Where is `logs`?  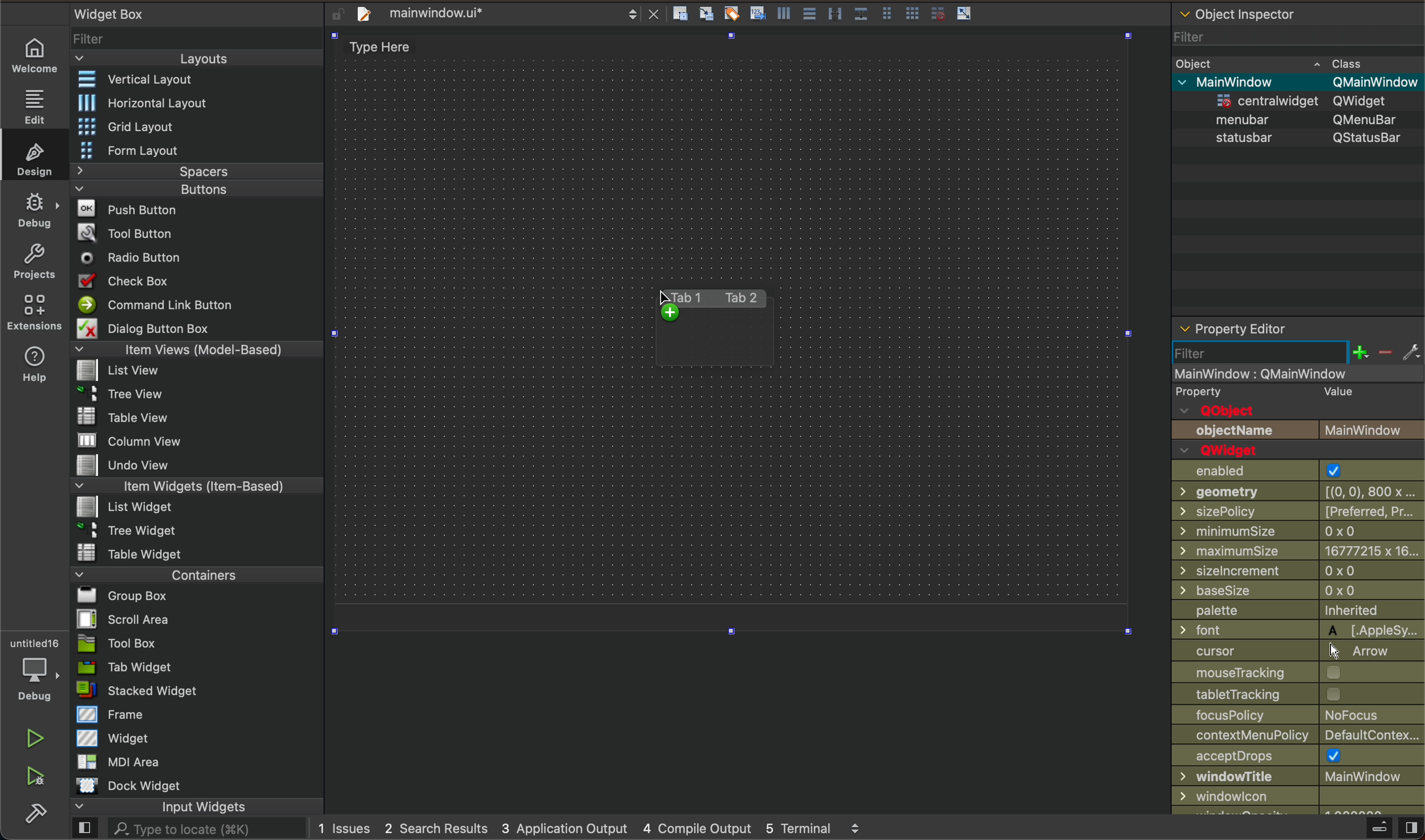 logs is located at coordinates (594, 828).